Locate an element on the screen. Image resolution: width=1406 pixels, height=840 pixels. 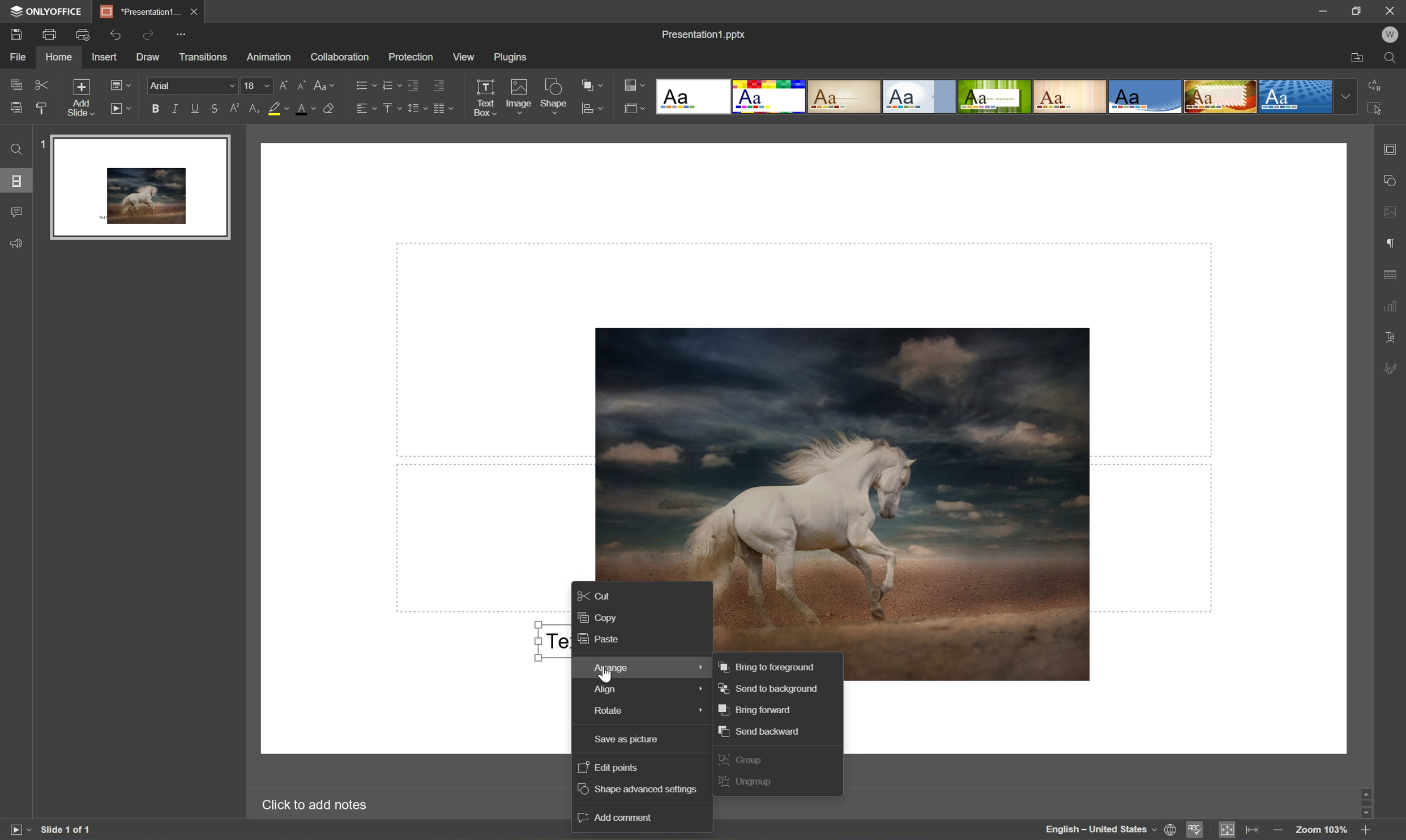
Office is located at coordinates (1146, 96).